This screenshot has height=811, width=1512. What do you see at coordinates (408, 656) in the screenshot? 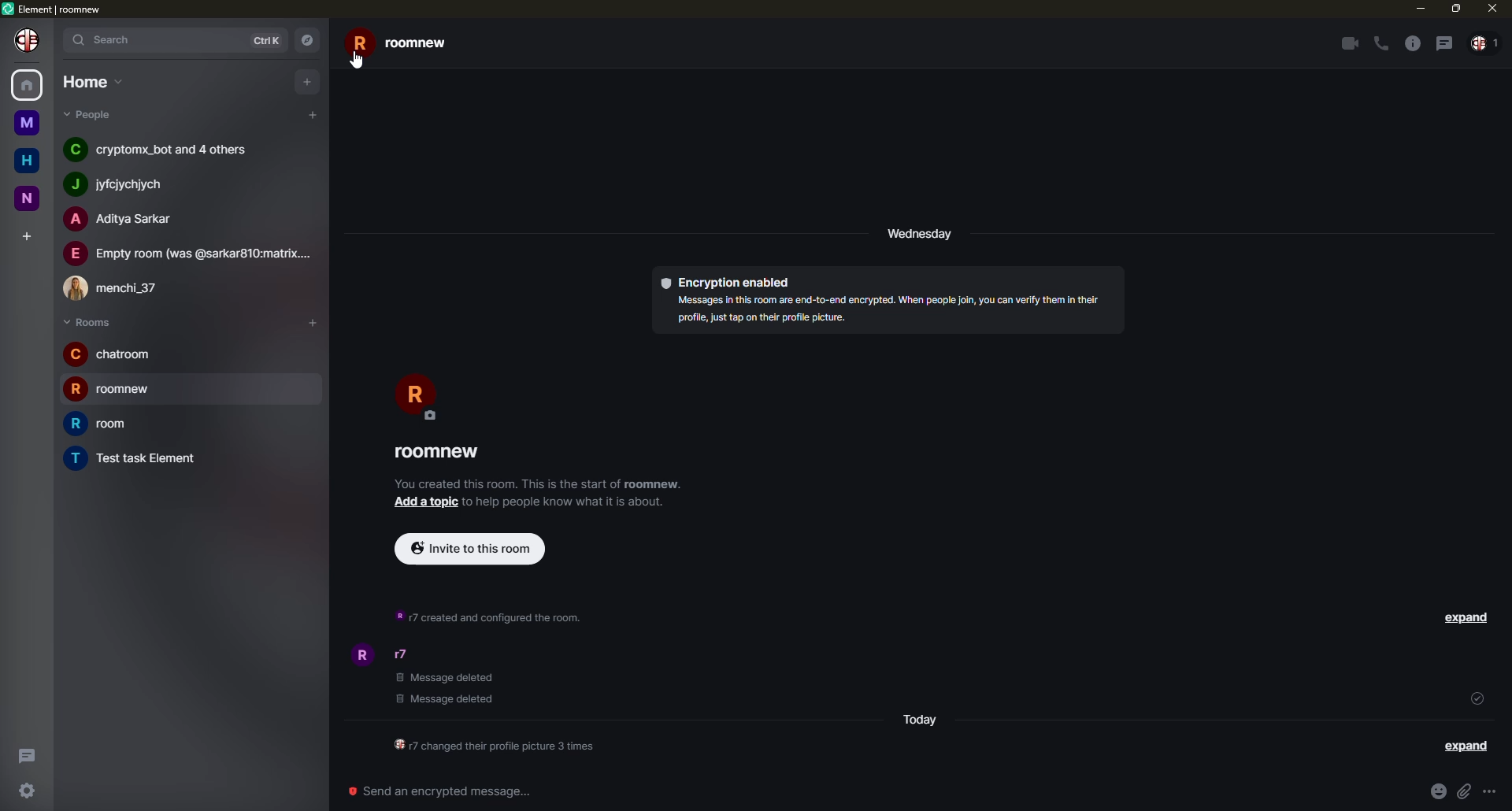
I see `people` at bounding box center [408, 656].